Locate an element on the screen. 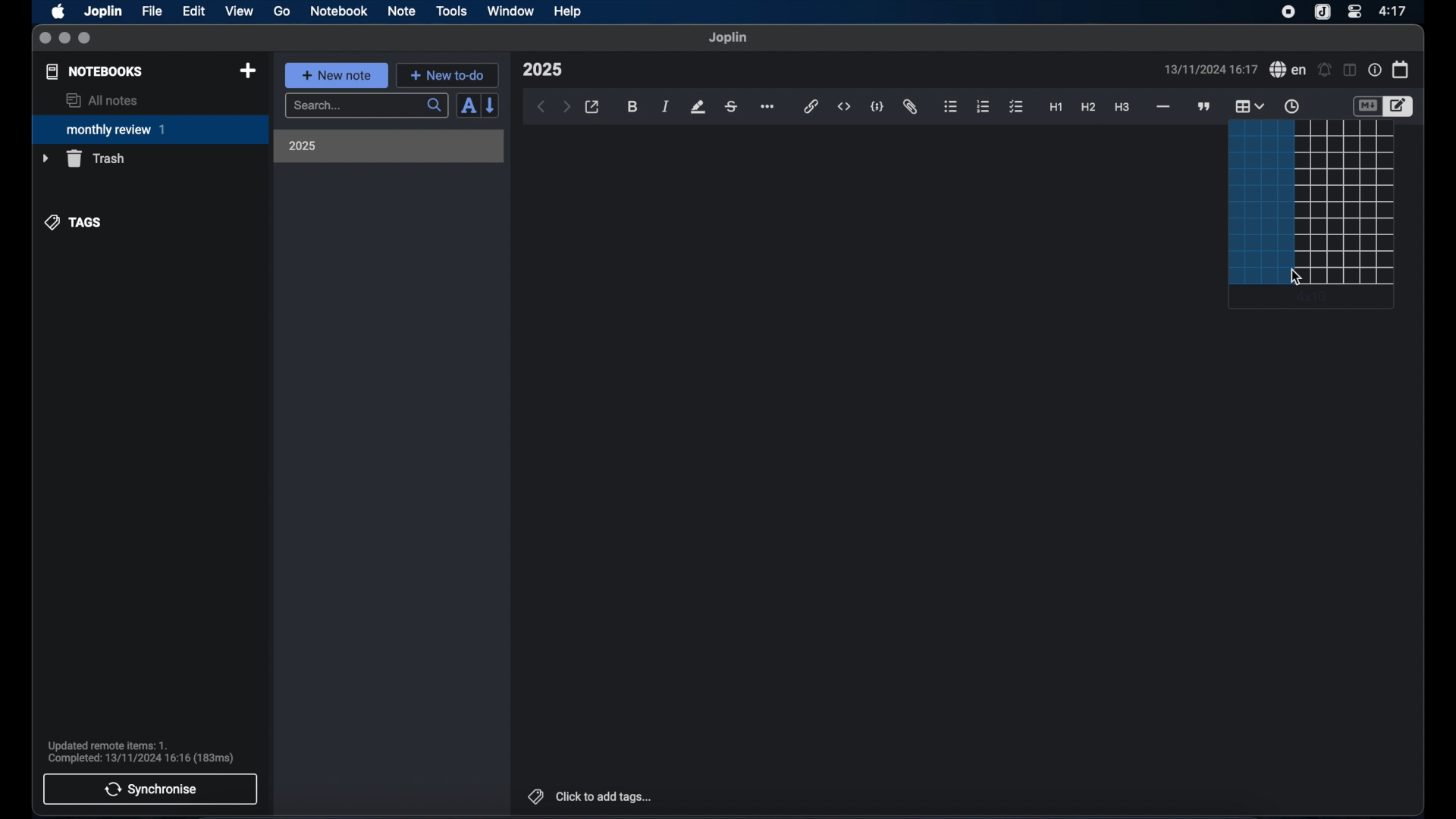 The width and height of the screenshot is (1456, 819). note properties is located at coordinates (1375, 71).